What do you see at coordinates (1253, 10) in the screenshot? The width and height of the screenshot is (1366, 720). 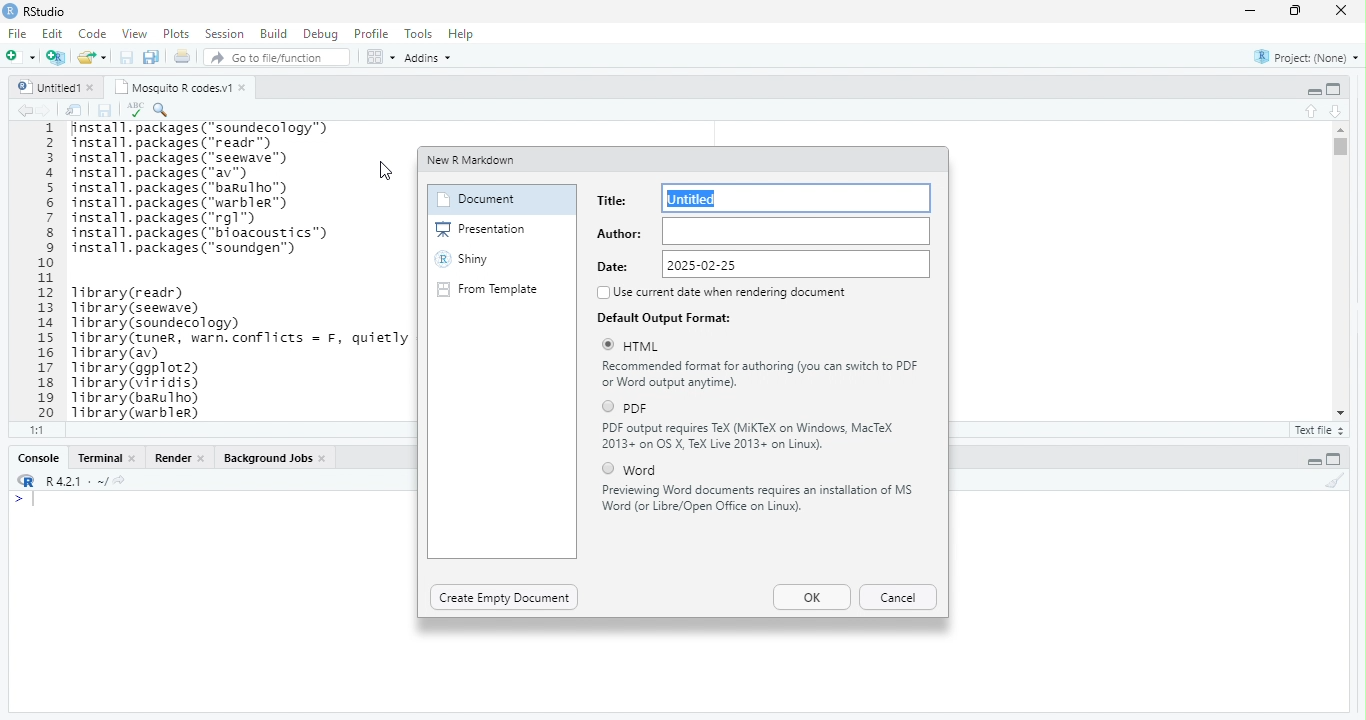 I see `minimise` at bounding box center [1253, 10].